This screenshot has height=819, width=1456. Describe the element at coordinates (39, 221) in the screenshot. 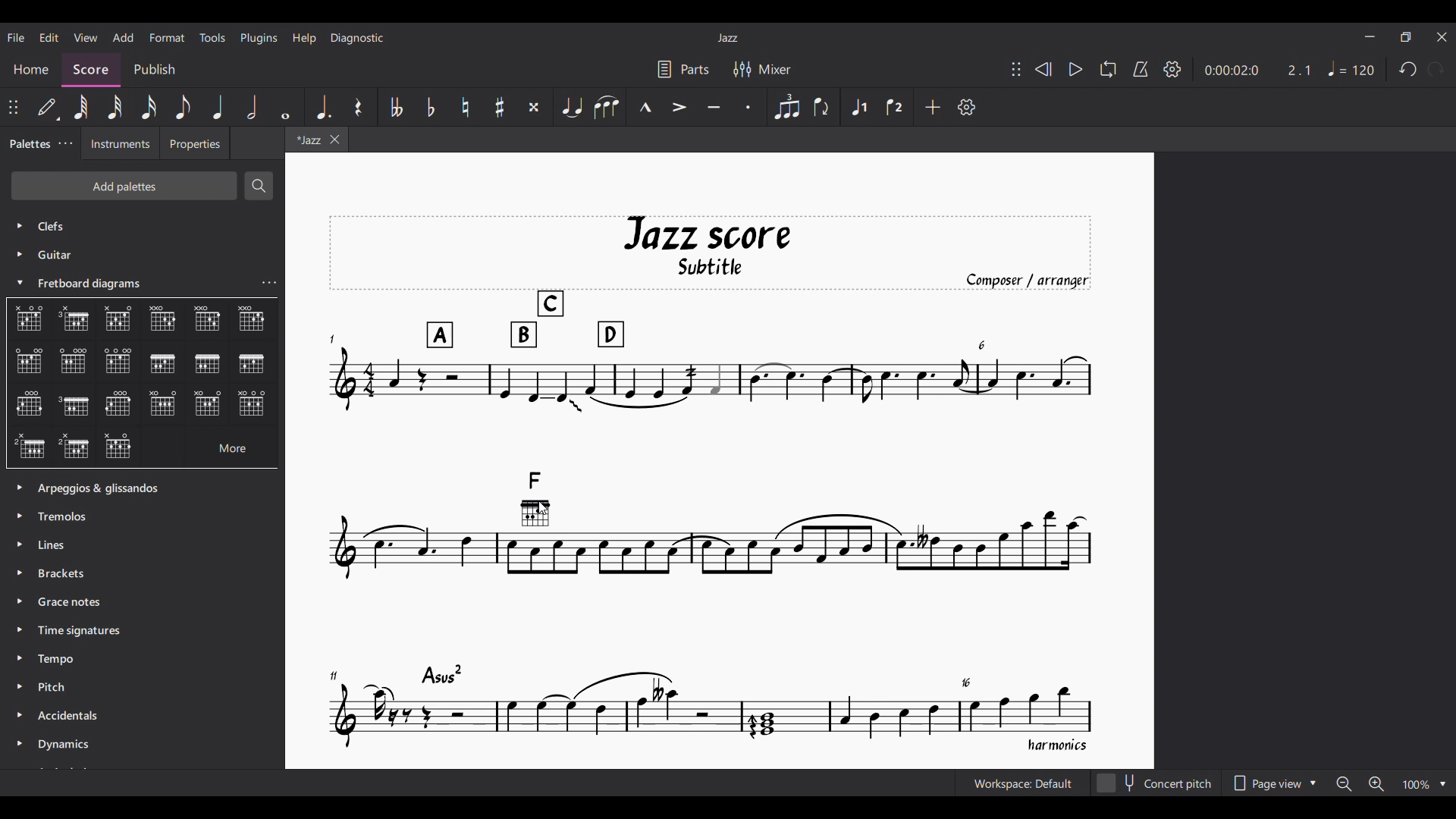

I see `Cliff` at that location.